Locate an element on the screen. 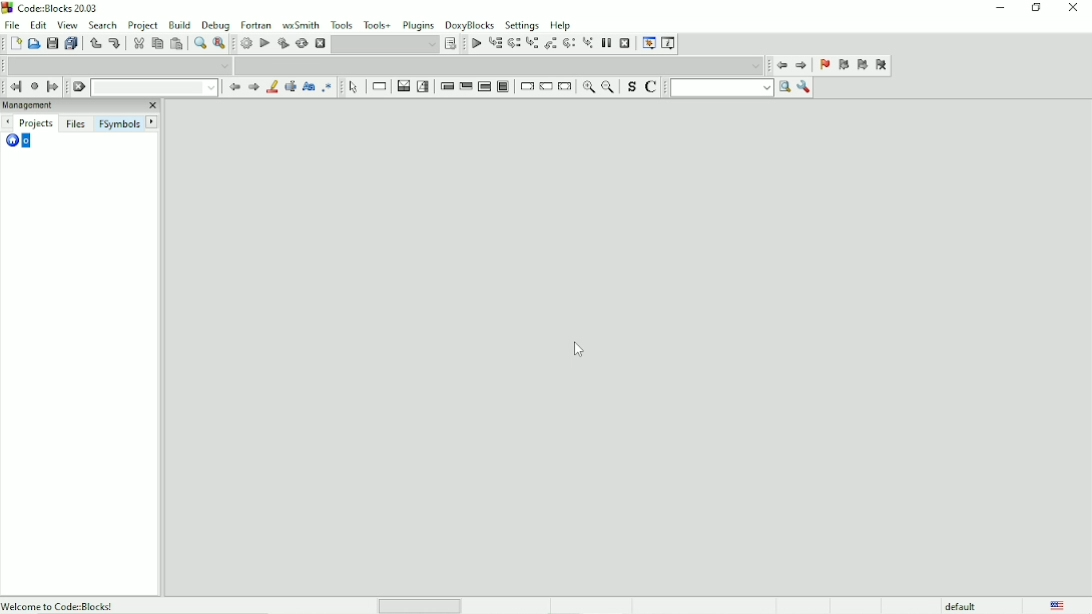  Redo is located at coordinates (114, 43).